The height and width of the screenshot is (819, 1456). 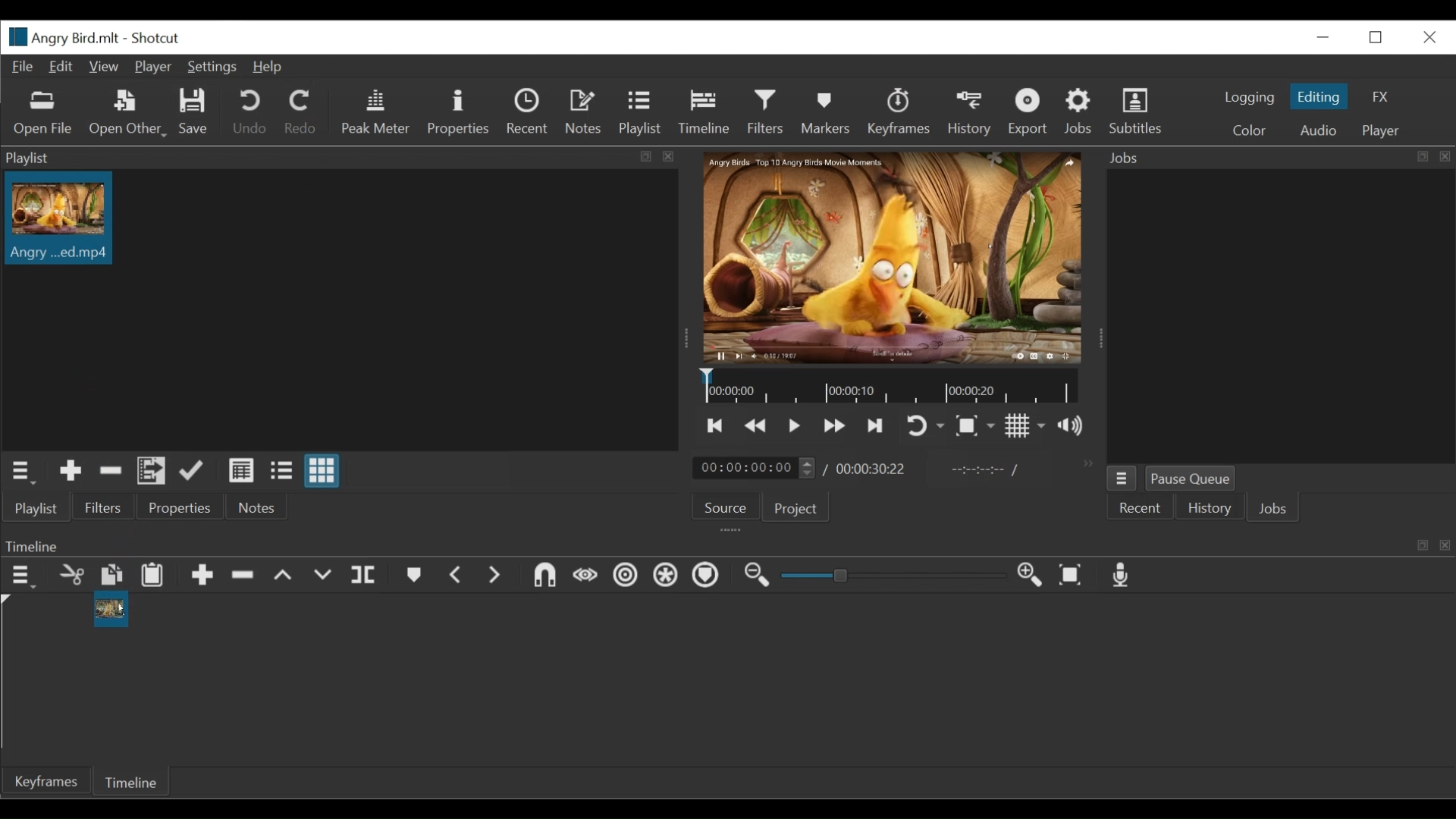 What do you see at coordinates (152, 577) in the screenshot?
I see `Paste` at bounding box center [152, 577].